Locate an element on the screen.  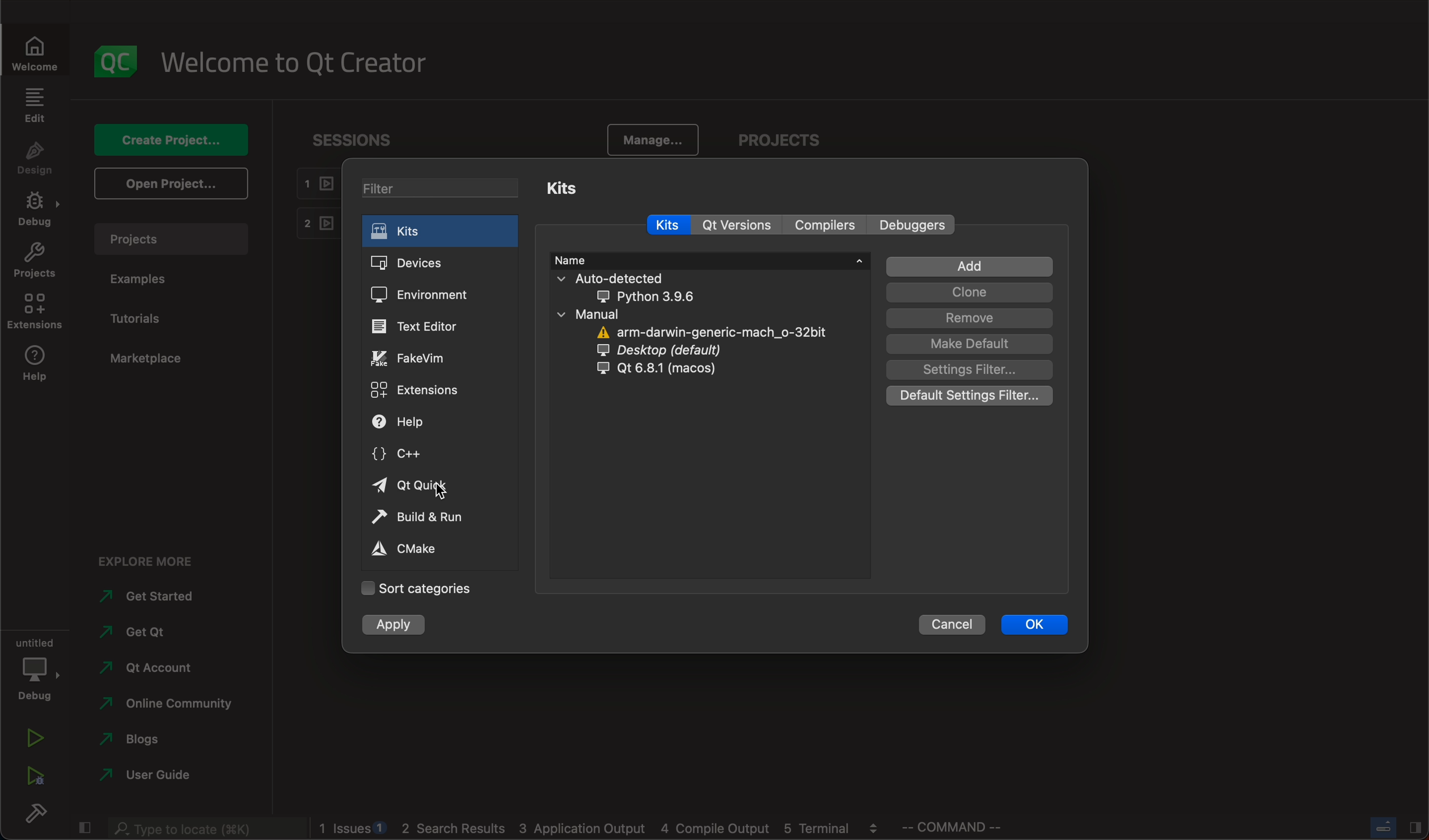
search bar is located at coordinates (206, 829).